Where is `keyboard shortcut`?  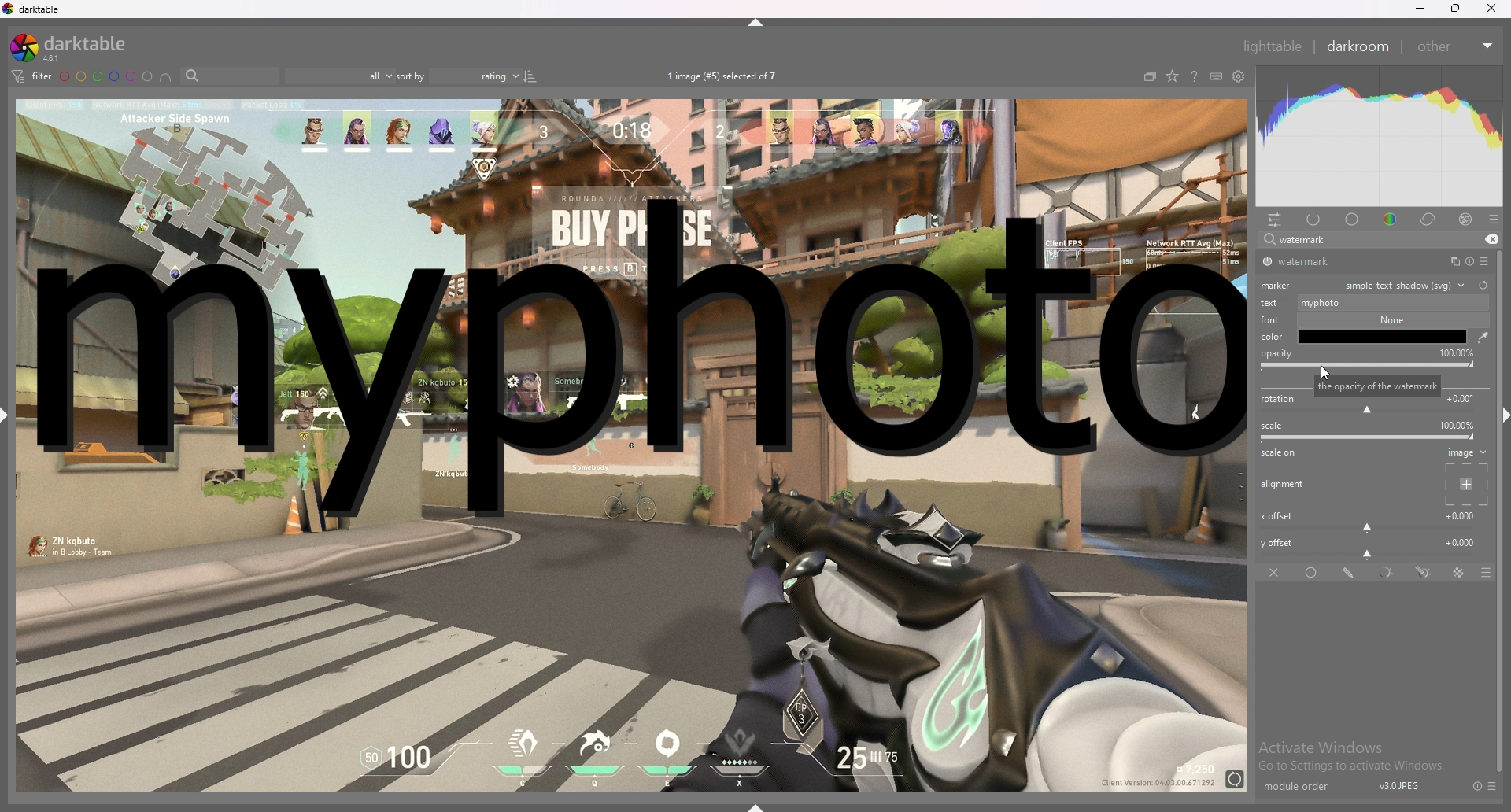
keyboard shortcut is located at coordinates (1216, 77).